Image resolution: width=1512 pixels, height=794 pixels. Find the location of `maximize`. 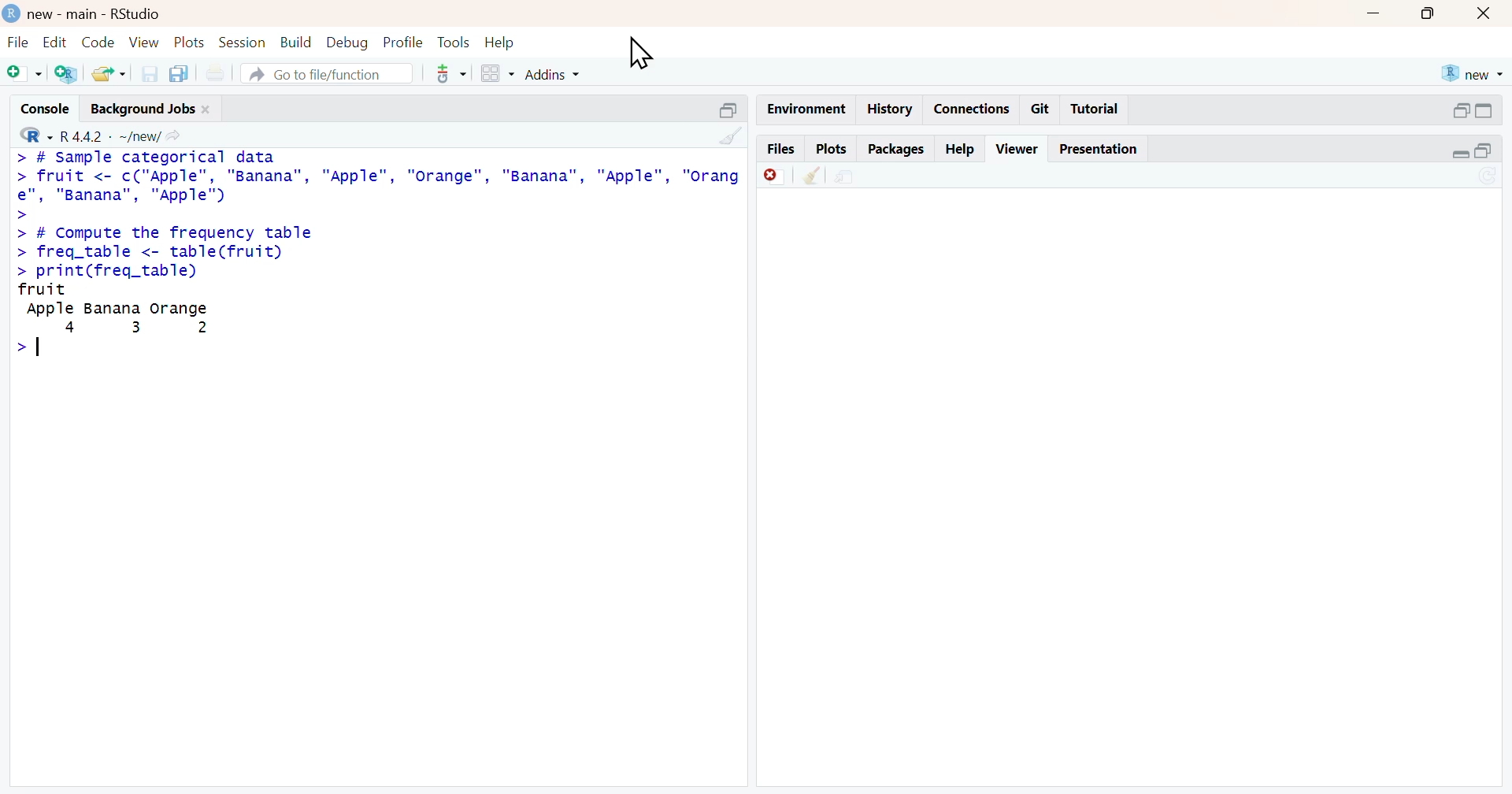

maximize is located at coordinates (1421, 14).